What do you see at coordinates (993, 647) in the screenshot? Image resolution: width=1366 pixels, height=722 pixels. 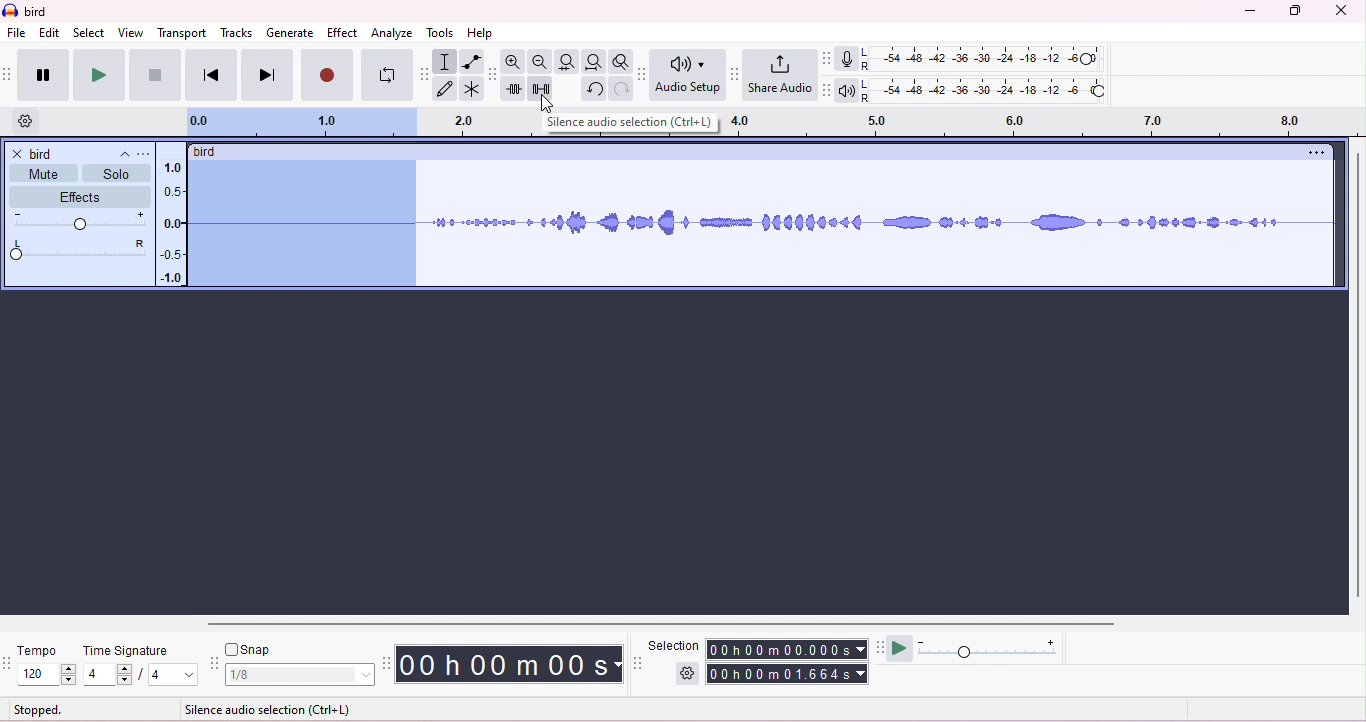 I see `playback speed` at bounding box center [993, 647].